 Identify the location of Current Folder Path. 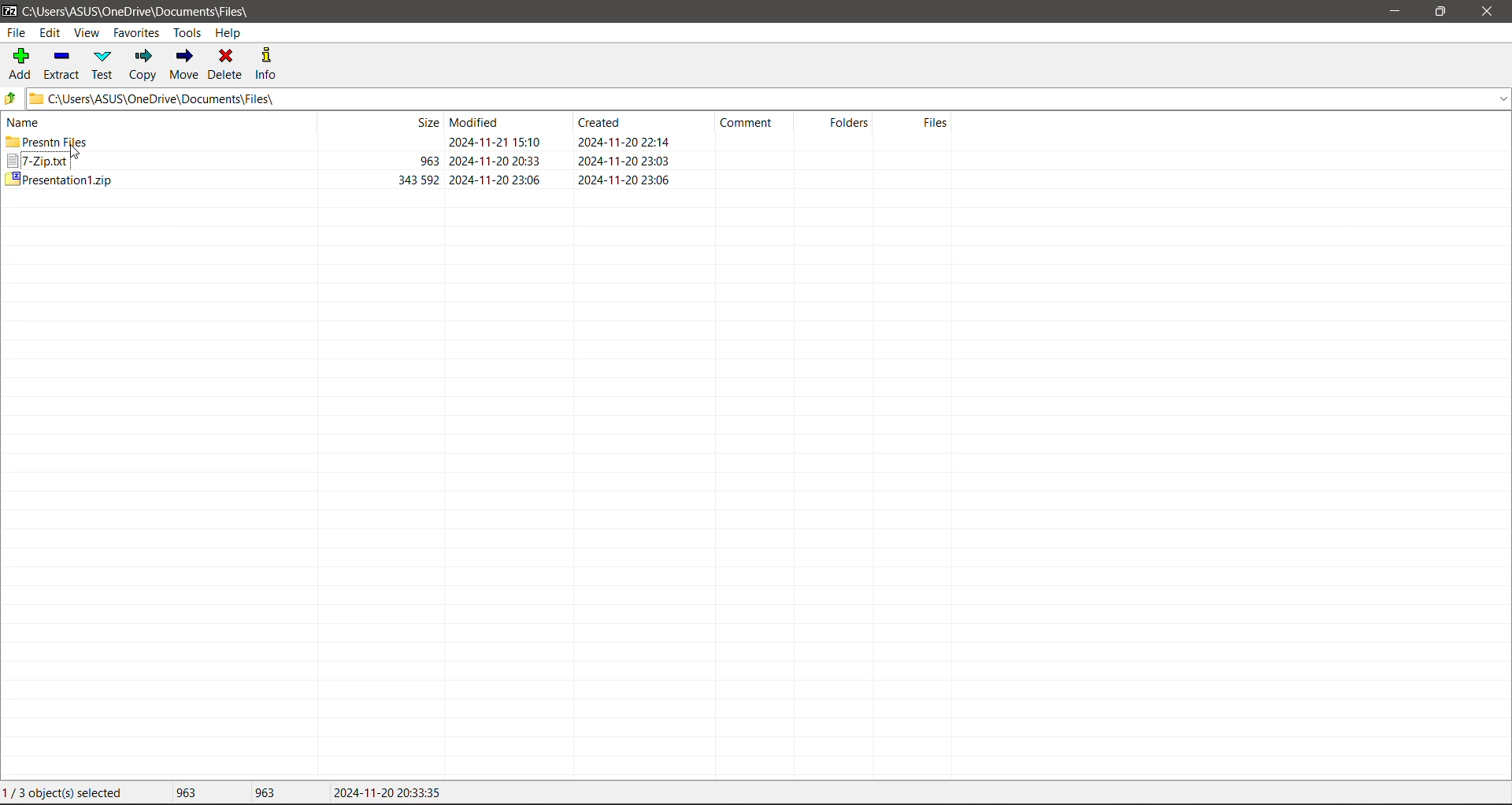
(767, 98).